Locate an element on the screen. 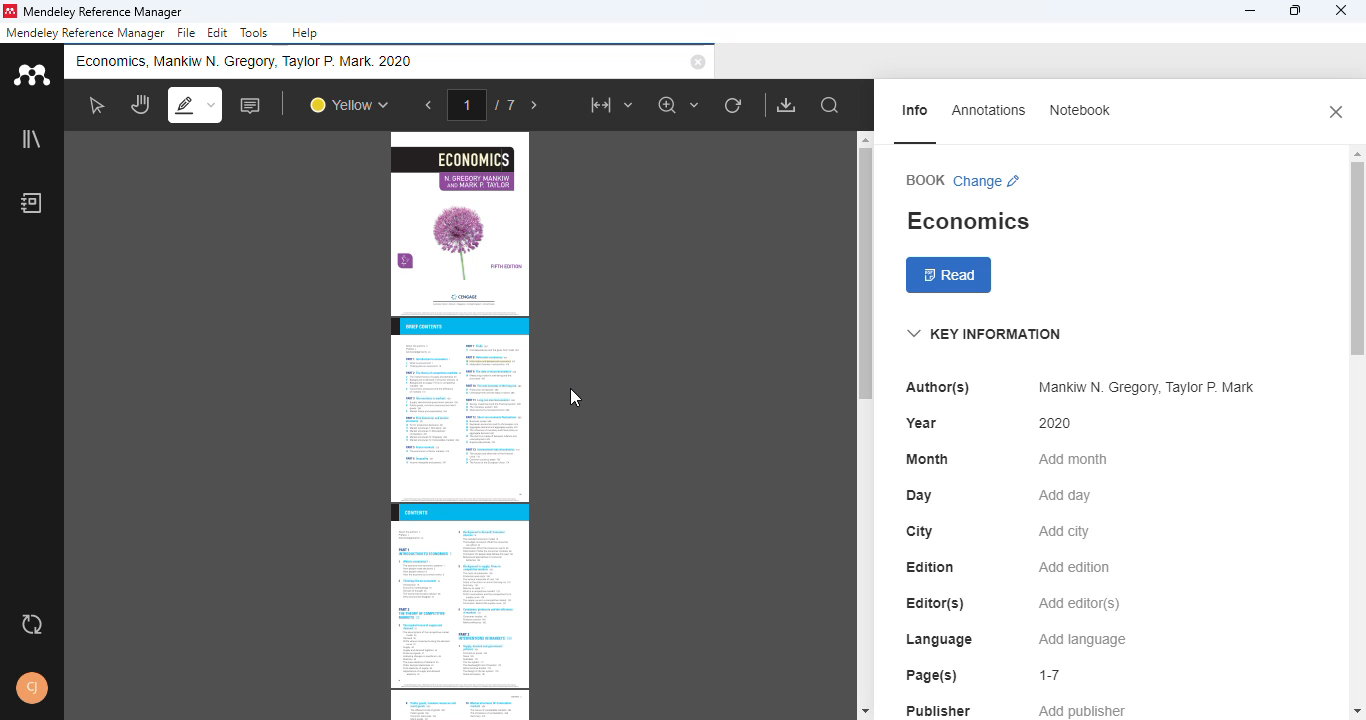 This screenshot has width=1366, height=720. add city is located at coordinates (1064, 532).